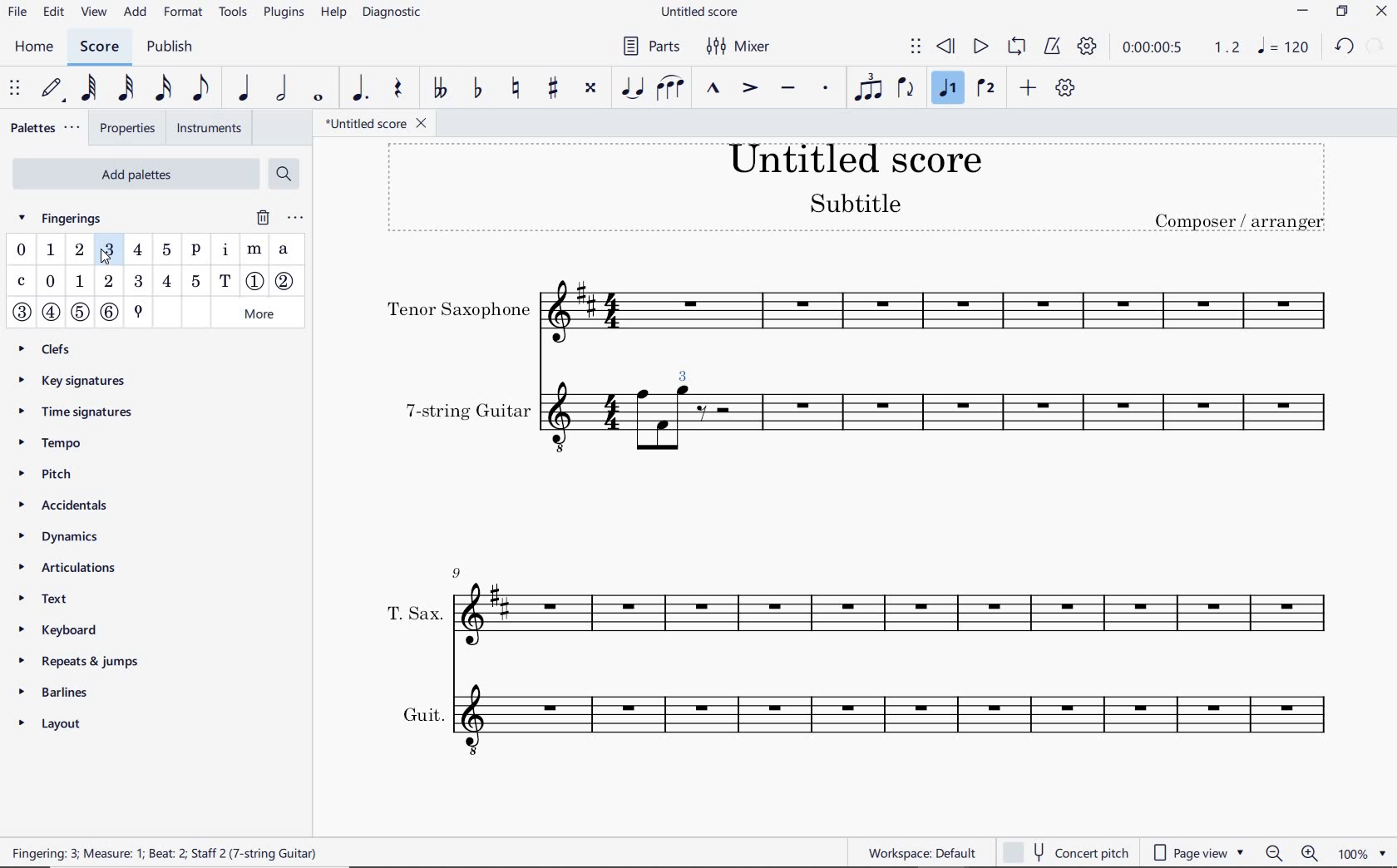  I want to click on 64TH NOTE, so click(88, 89).